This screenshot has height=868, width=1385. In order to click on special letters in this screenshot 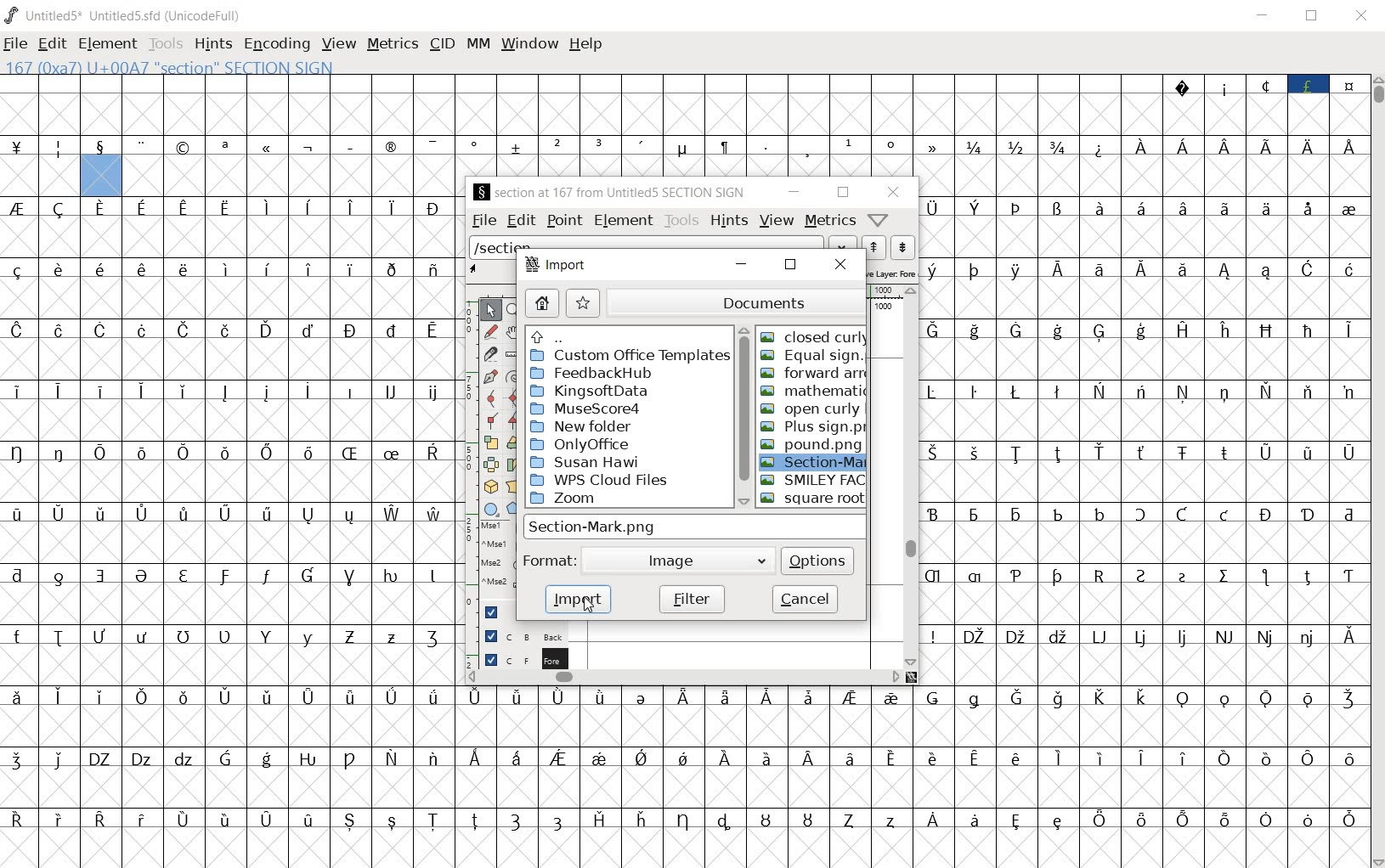, I will do `click(1143, 574)`.